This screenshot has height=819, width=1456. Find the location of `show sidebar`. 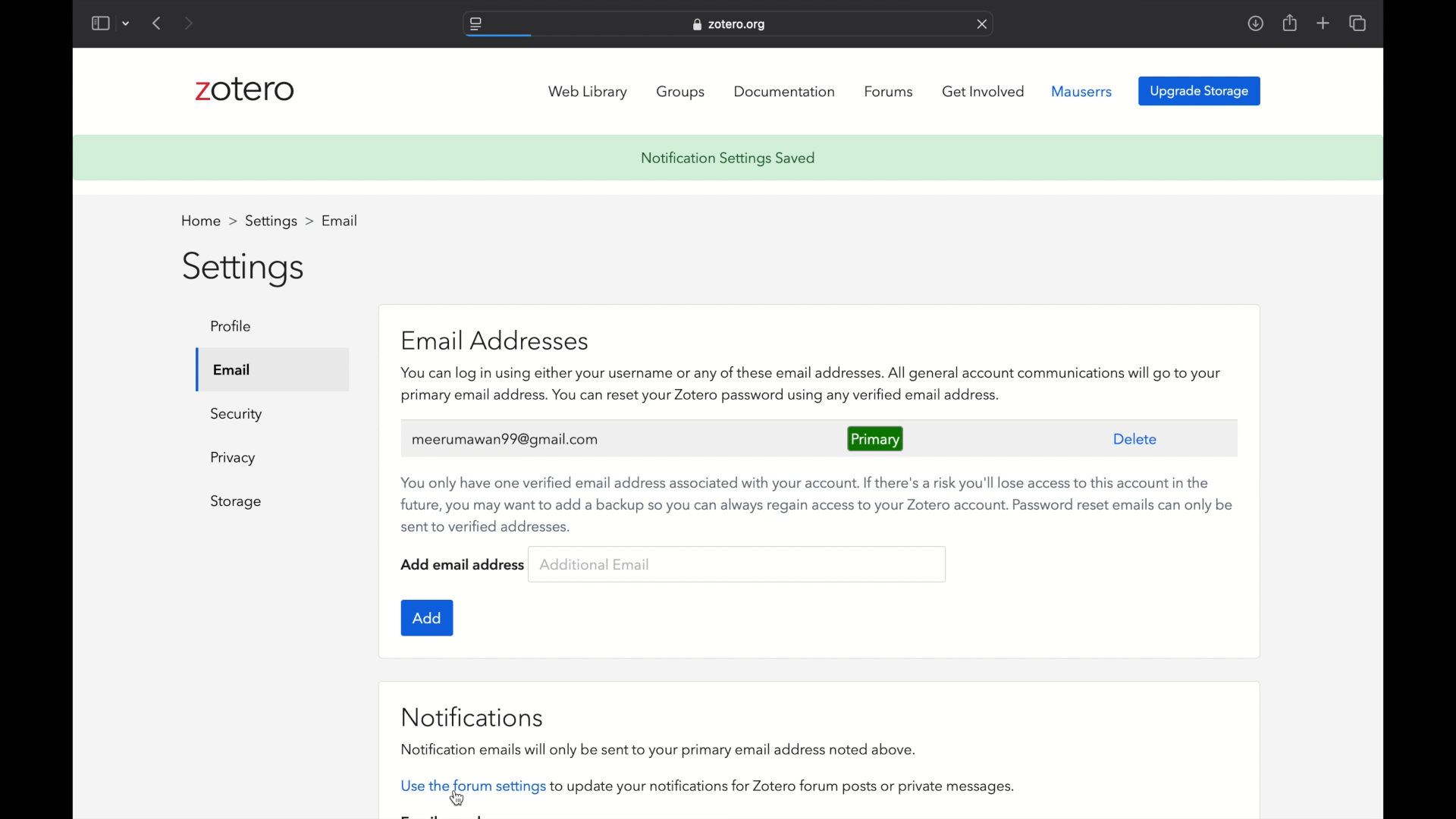

show sidebar is located at coordinates (99, 23).